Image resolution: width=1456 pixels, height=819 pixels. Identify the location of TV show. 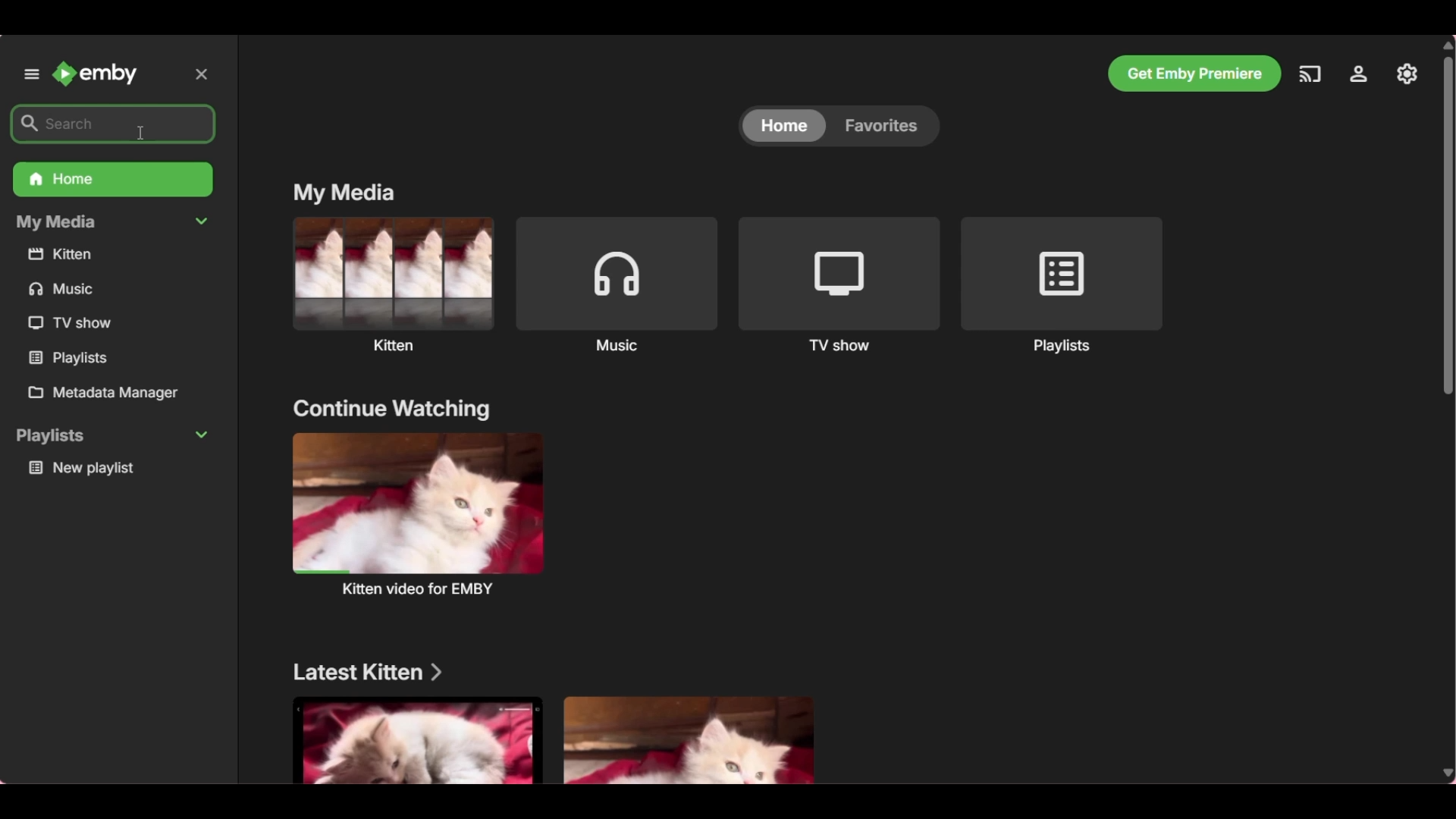
(77, 322).